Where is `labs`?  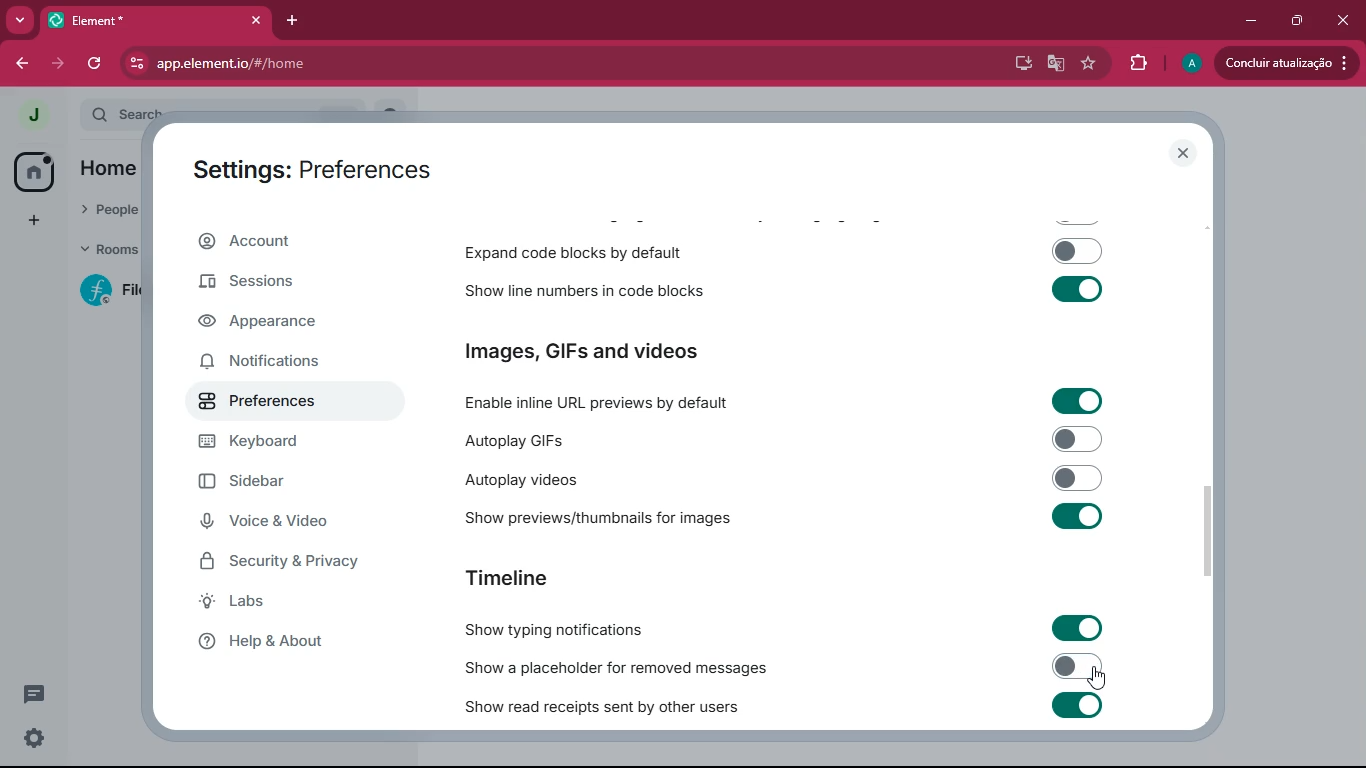
labs is located at coordinates (297, 602).